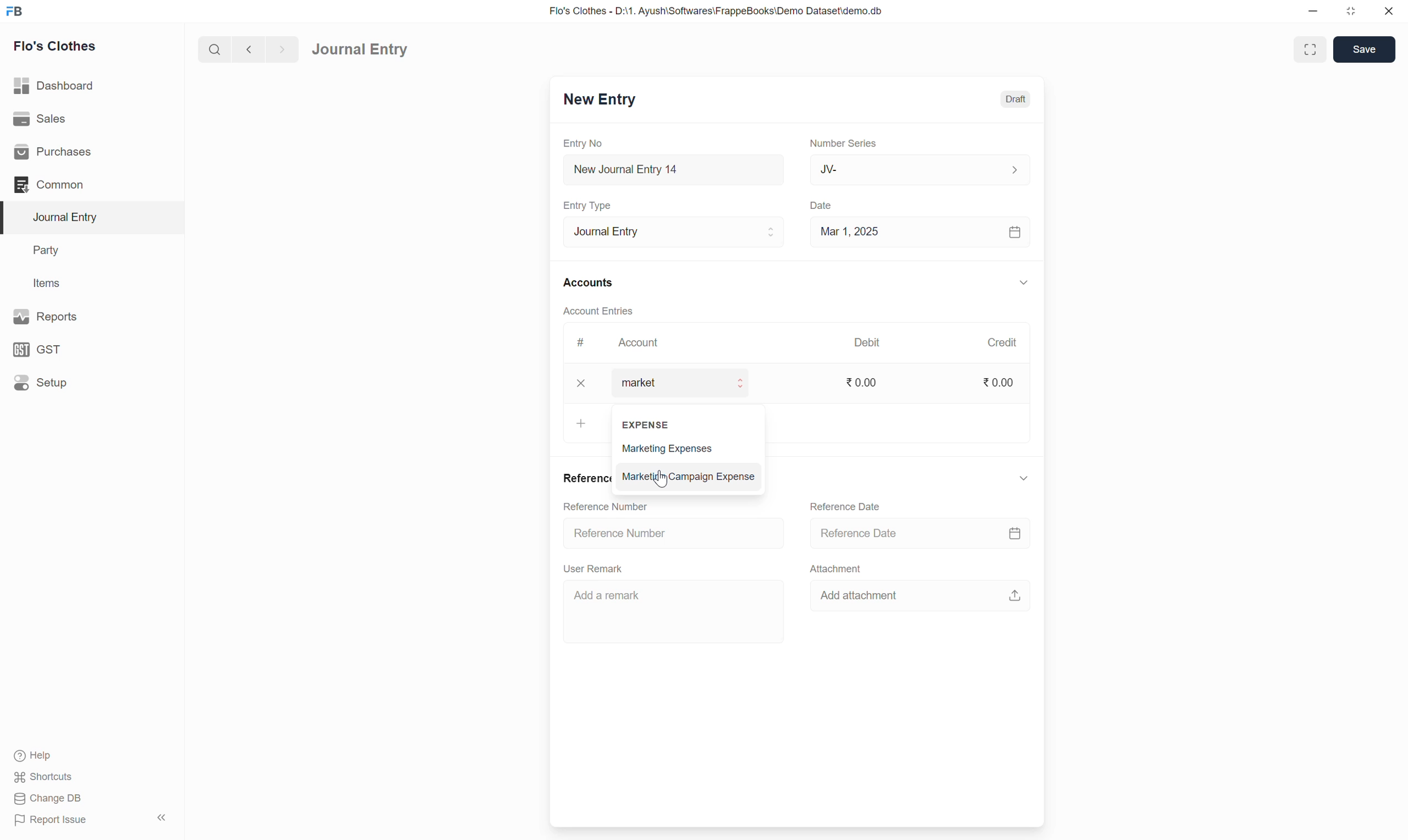 This screenshot has width=1408, height=840. Describe the element at coordinates (49, 251) in the screenshot. I see `Party` at that location.